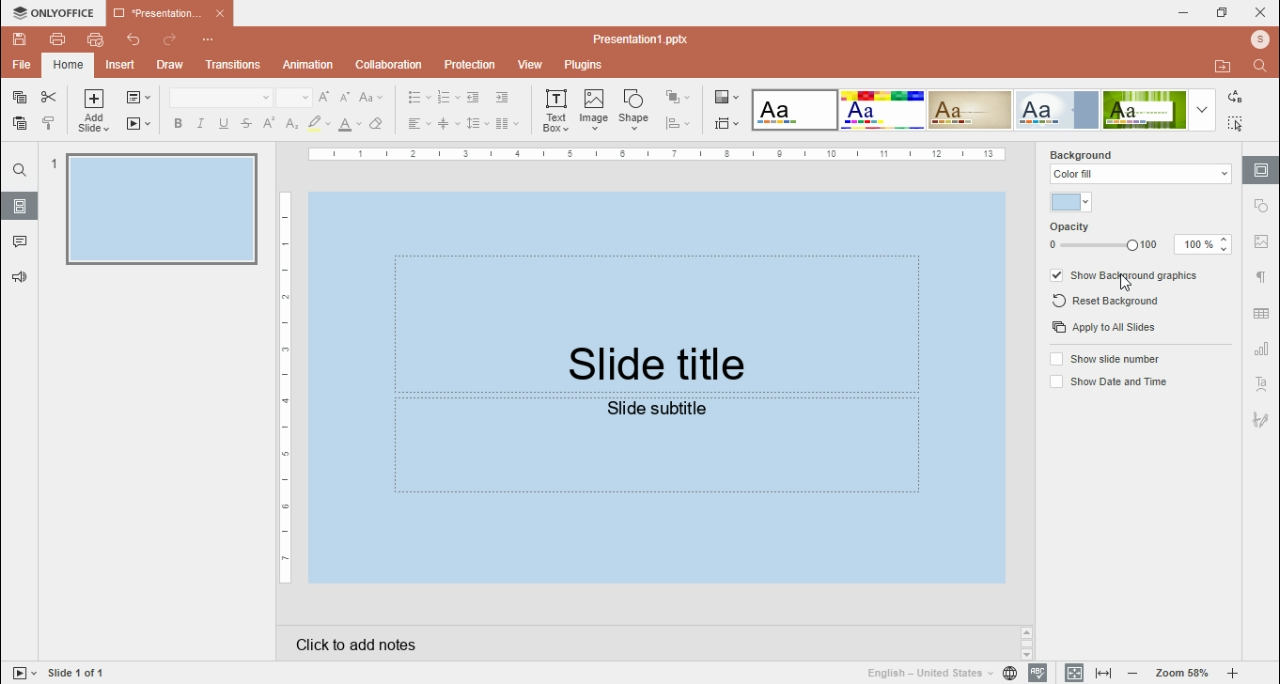 The width and height of the screenshot is (1280, 684). Describe the element at coordinates (676, 97) in the screenshot. I see `arrange shape` at that location.